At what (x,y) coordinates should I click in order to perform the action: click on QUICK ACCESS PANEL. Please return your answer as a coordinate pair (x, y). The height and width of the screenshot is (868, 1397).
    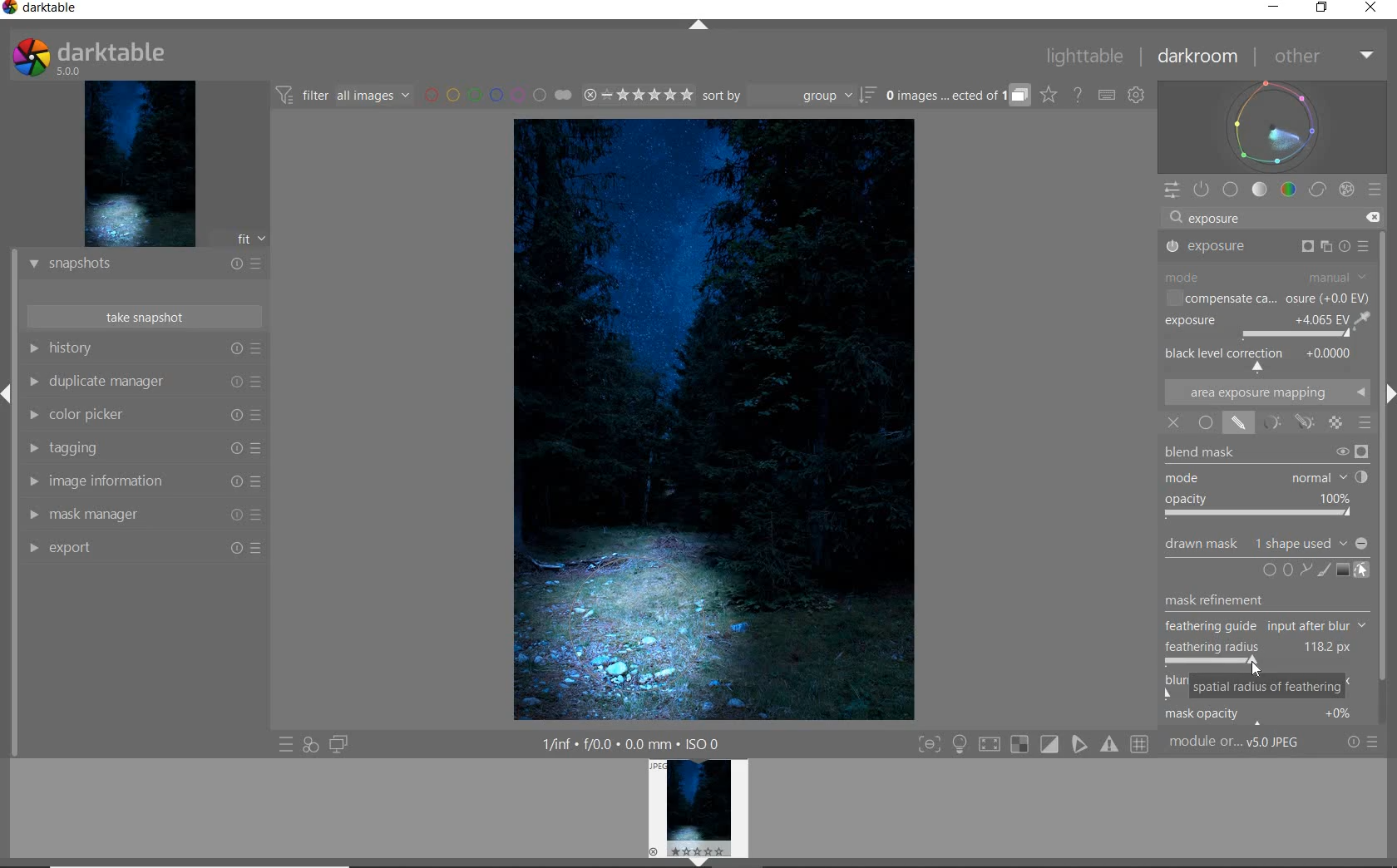
    Looking at the image, I should click on (1170, 190).